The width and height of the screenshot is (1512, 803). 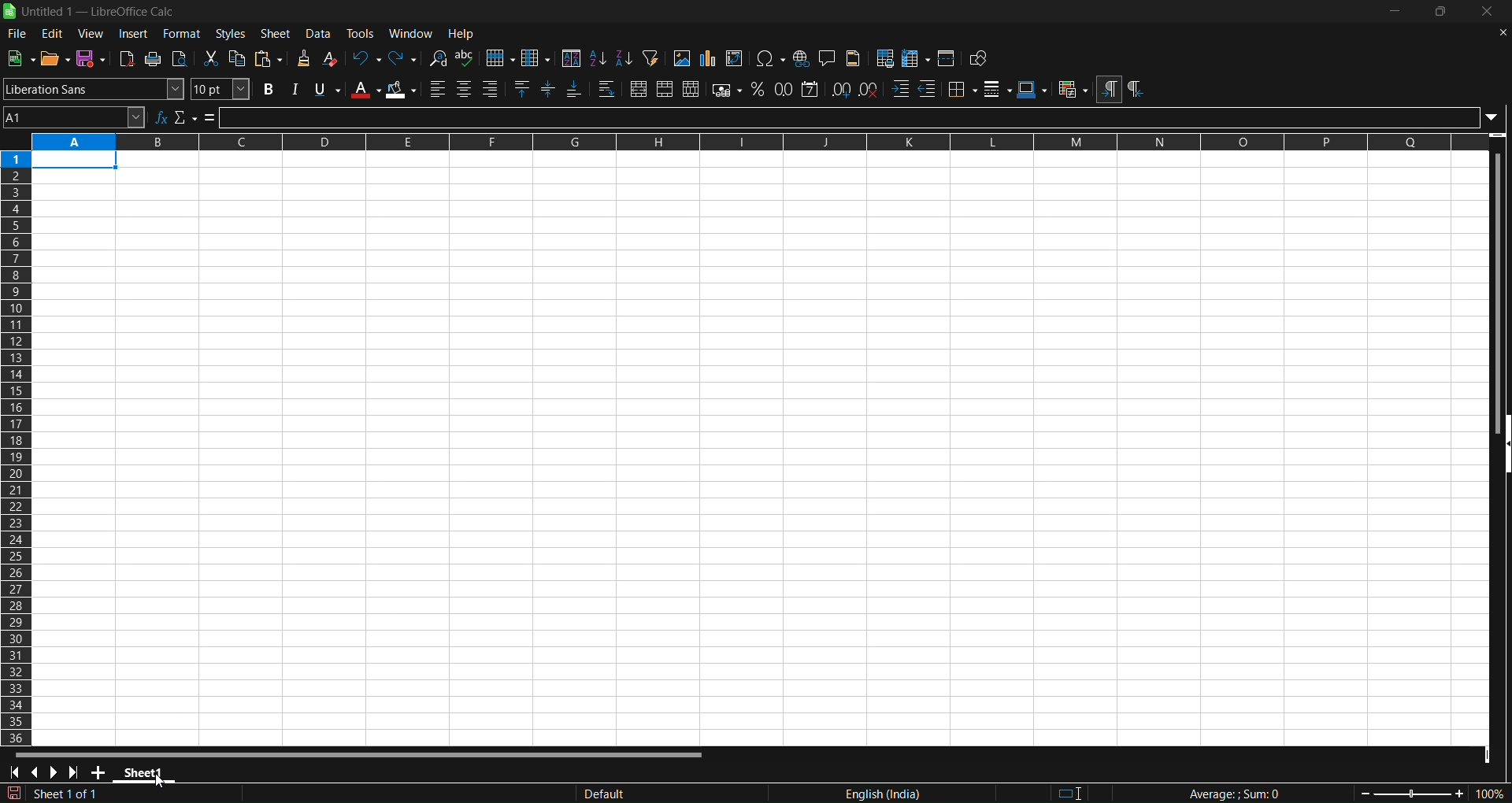 I want to click on new, so click(x=20, y=57).